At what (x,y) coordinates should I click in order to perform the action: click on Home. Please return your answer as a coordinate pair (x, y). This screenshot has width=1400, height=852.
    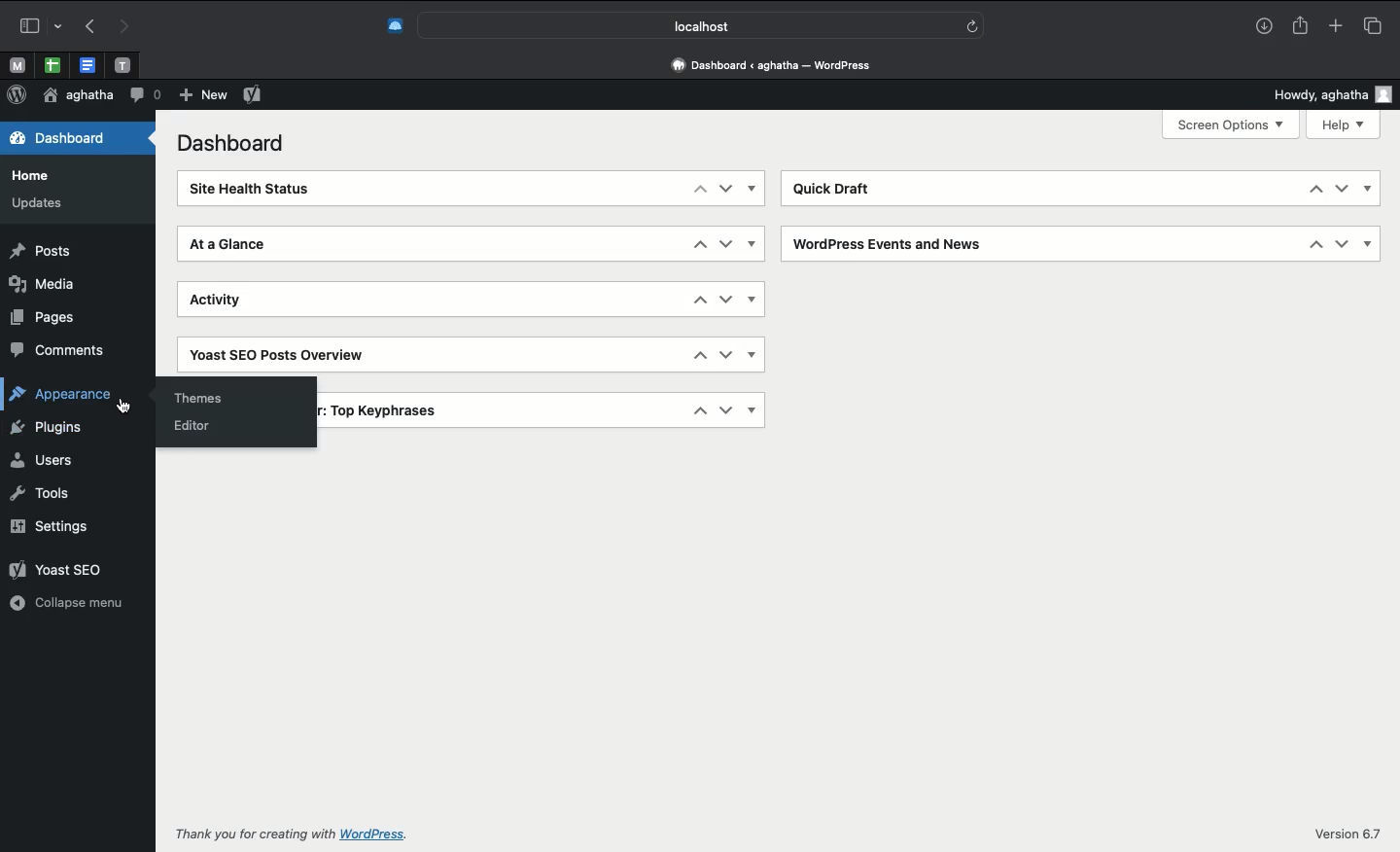
    Looking at the image, I should click on (34, 175).